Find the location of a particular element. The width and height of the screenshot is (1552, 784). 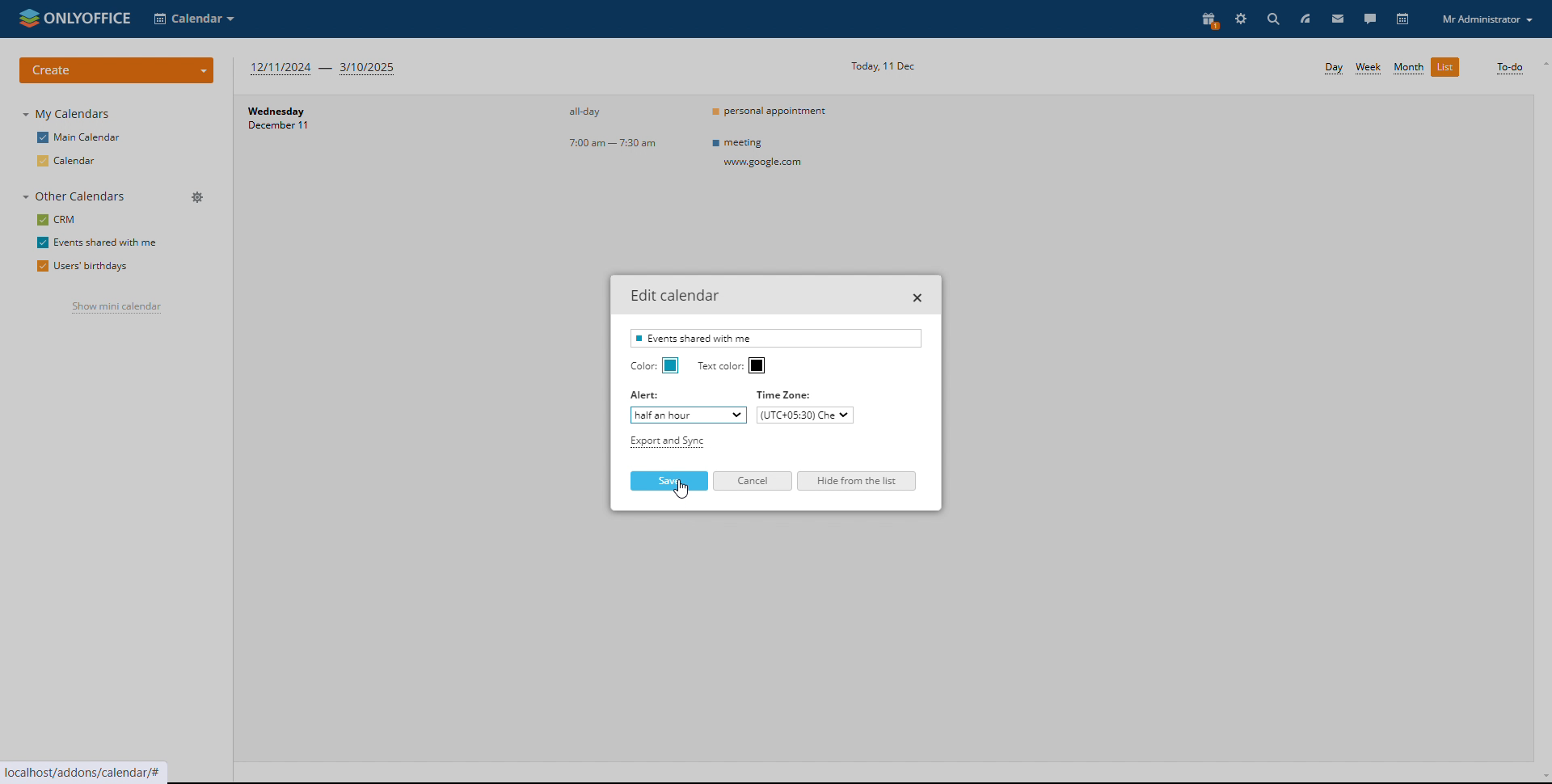

month view is located at coordinates (1407, 68).